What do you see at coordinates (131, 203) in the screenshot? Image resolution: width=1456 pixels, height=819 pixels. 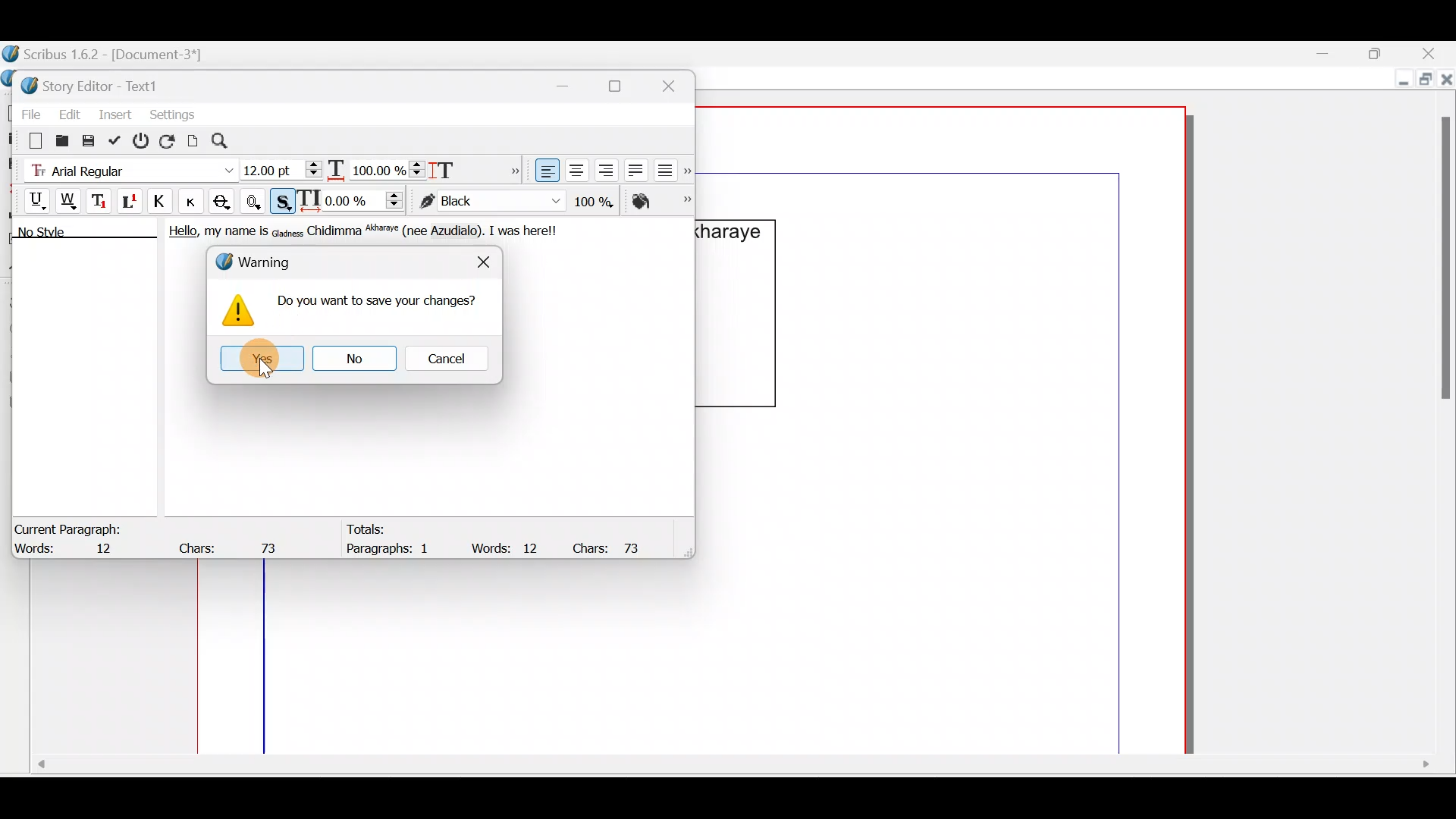 I see `Superscript` at bounding box center [131, 203].